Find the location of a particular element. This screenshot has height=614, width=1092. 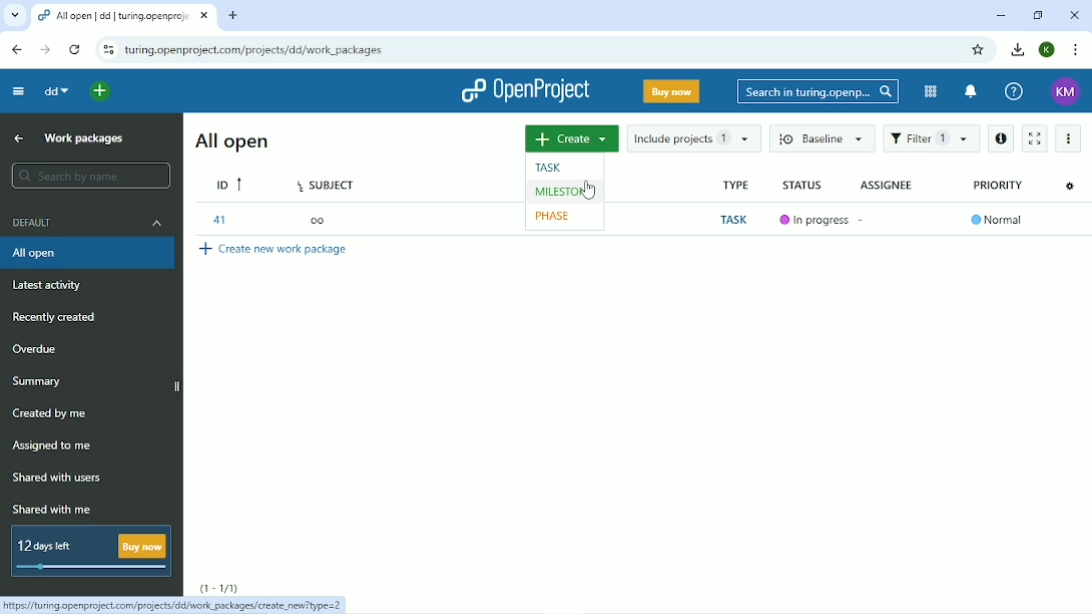

Overdue is located at coordinates (37, 350).